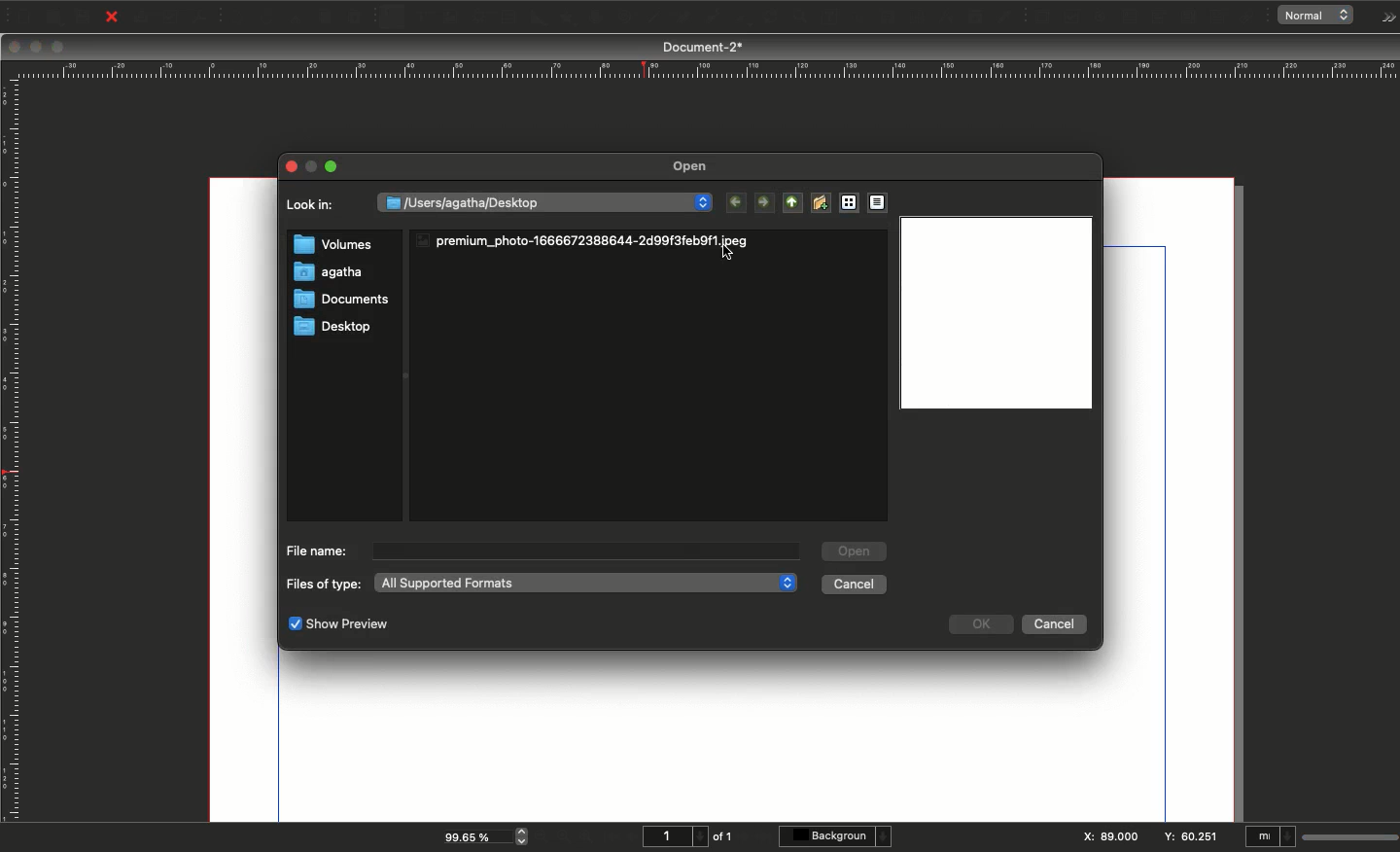 This screenshot has width=1400, height=852. What do you see at coordinates (1189, 834) in the screenshot?
I see `y: 60.251` at bounding box center [1189, 834].